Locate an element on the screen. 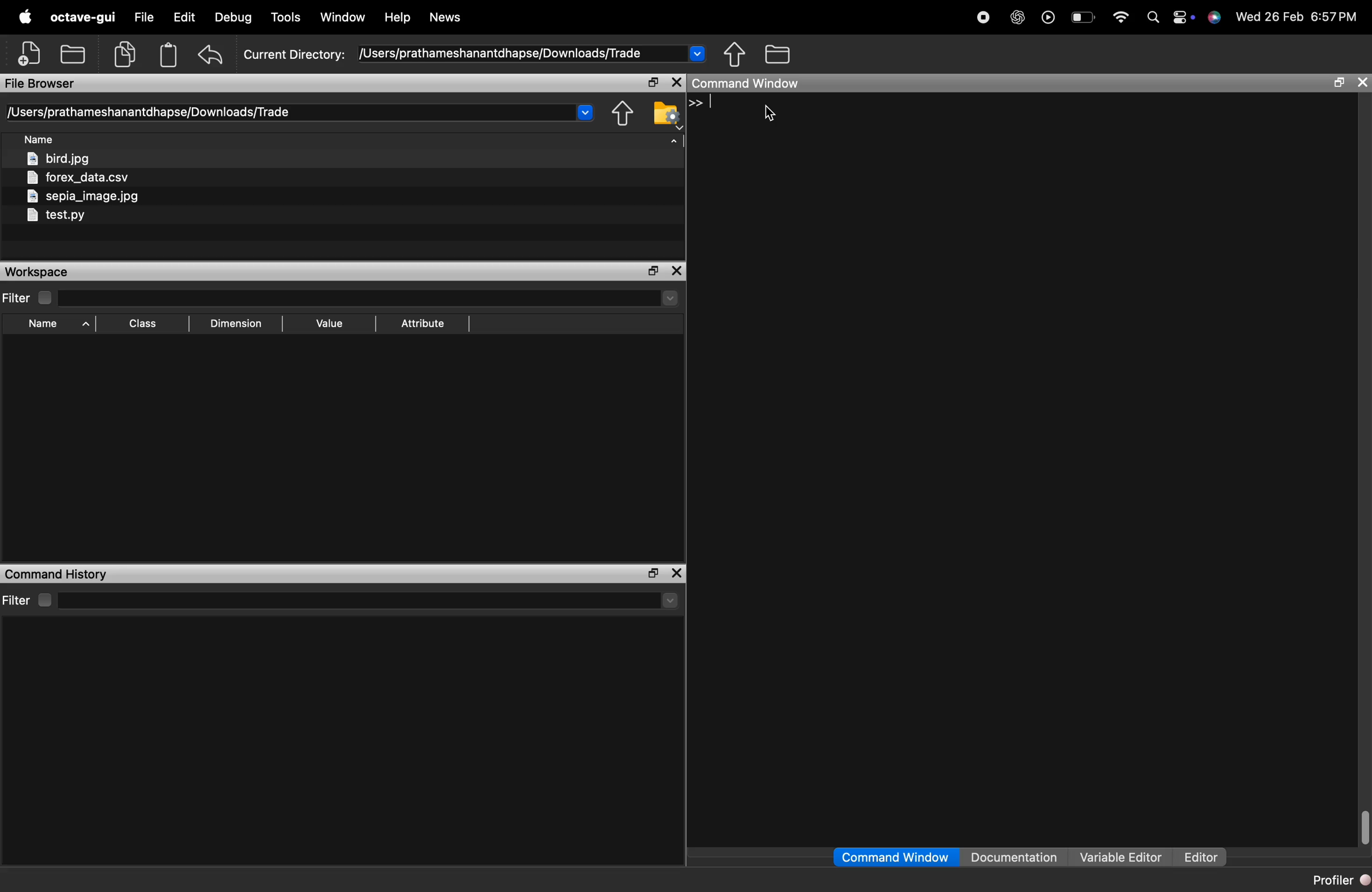 This screenshot has width=1372, height=892. debug is located at coordinates (234, 18).